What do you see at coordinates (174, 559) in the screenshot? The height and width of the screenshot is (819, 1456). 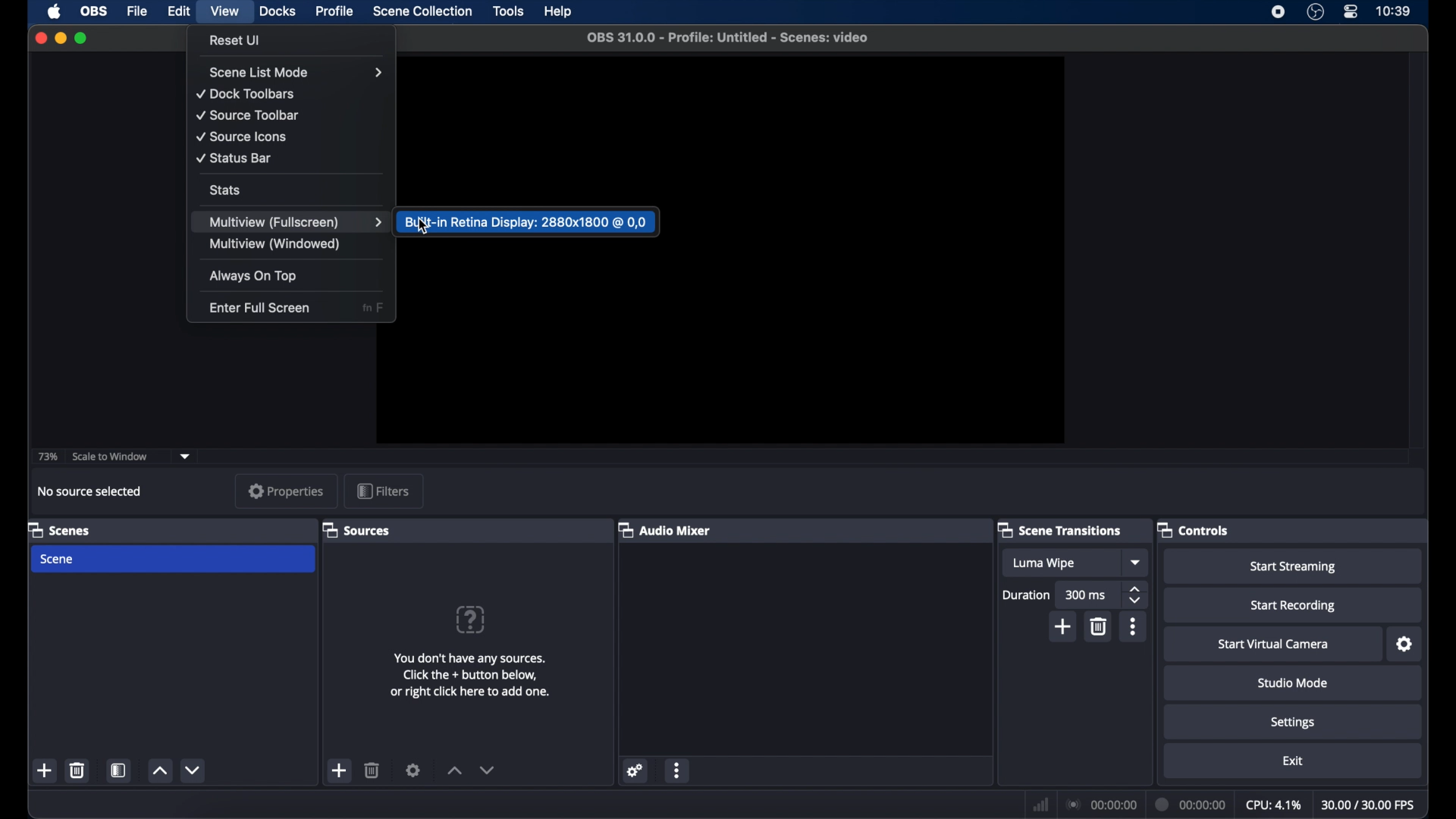 I see `scene` at bounding box center [174, 559].